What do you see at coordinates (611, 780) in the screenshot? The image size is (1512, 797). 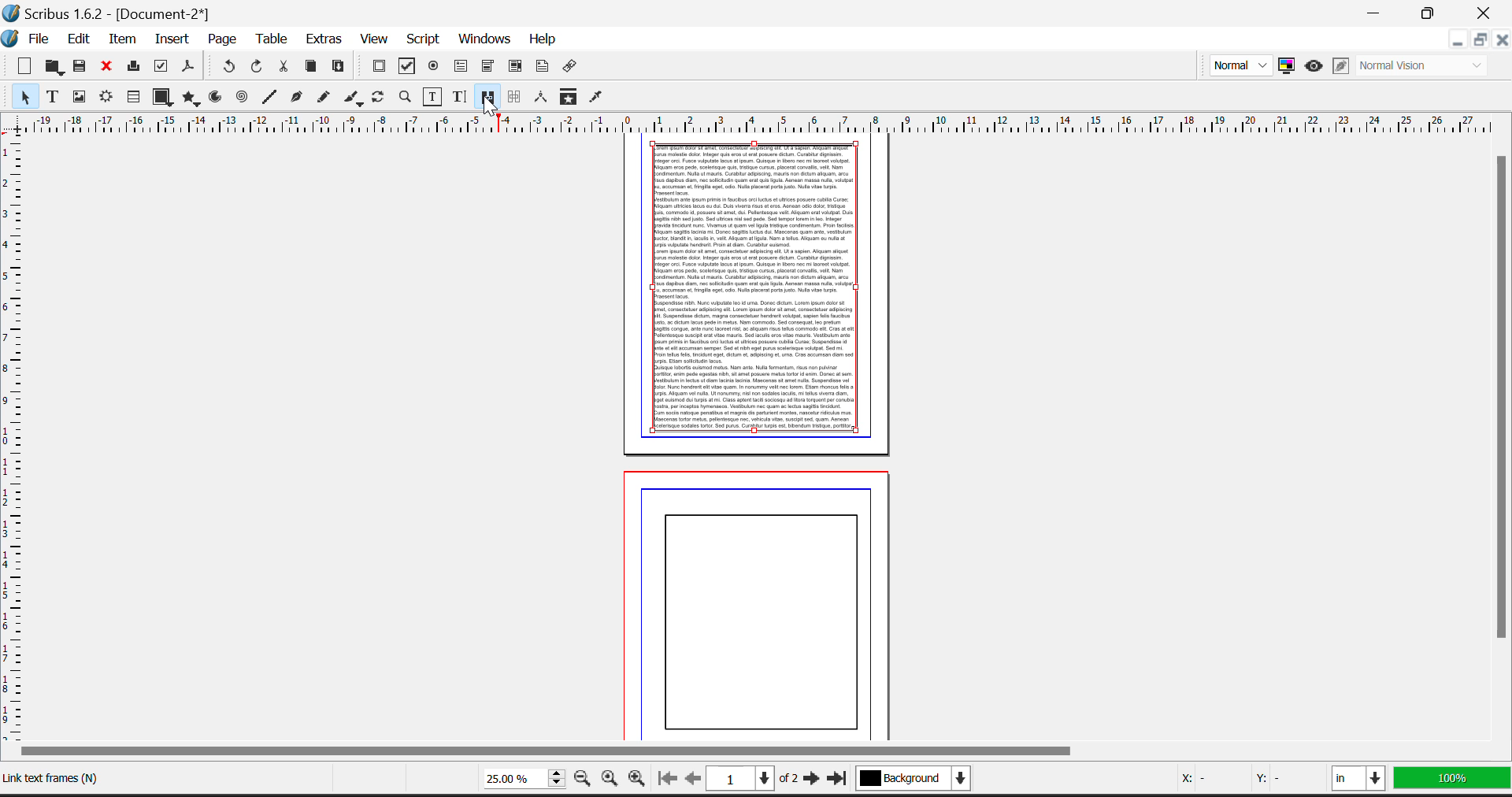 I see `Zoom Settings` at bounding box center [611, 780].